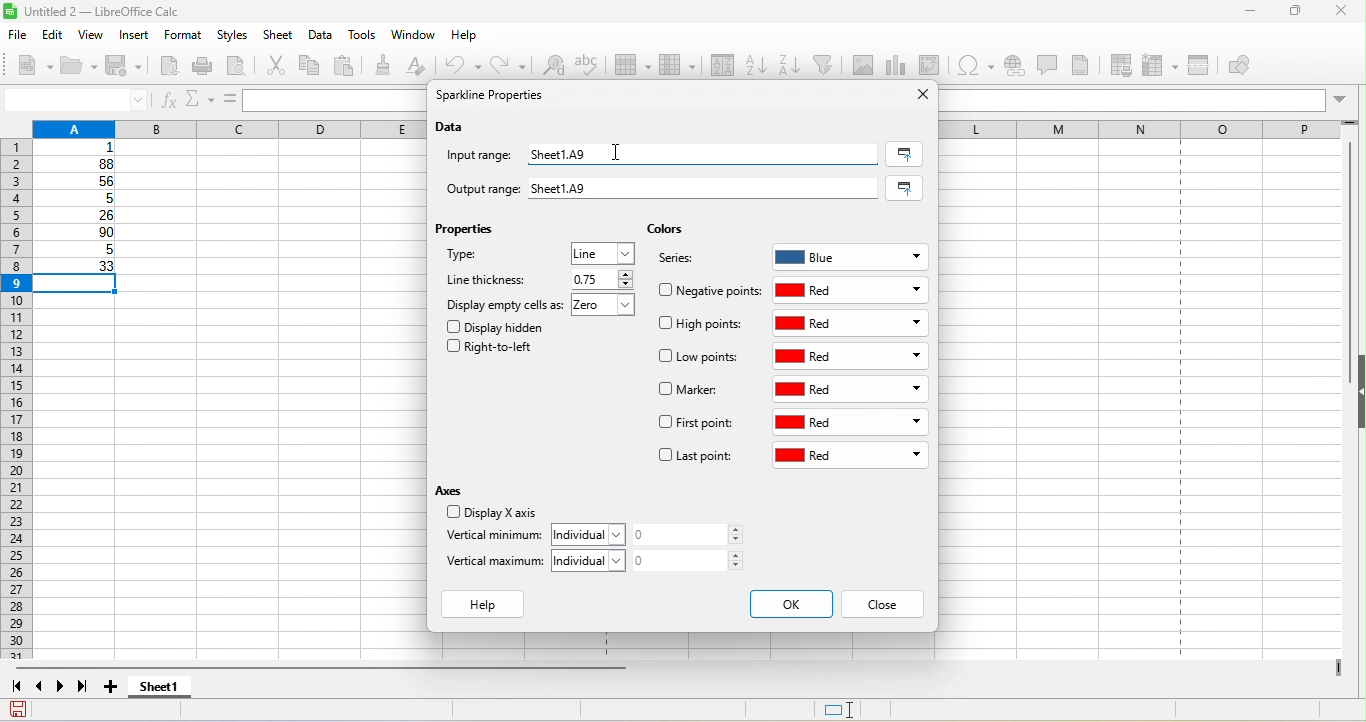 The height and width of the screenshot is (722, 1366). Describe the element at coordinates (850, 424) in the screenshot. I see `red` at that location.